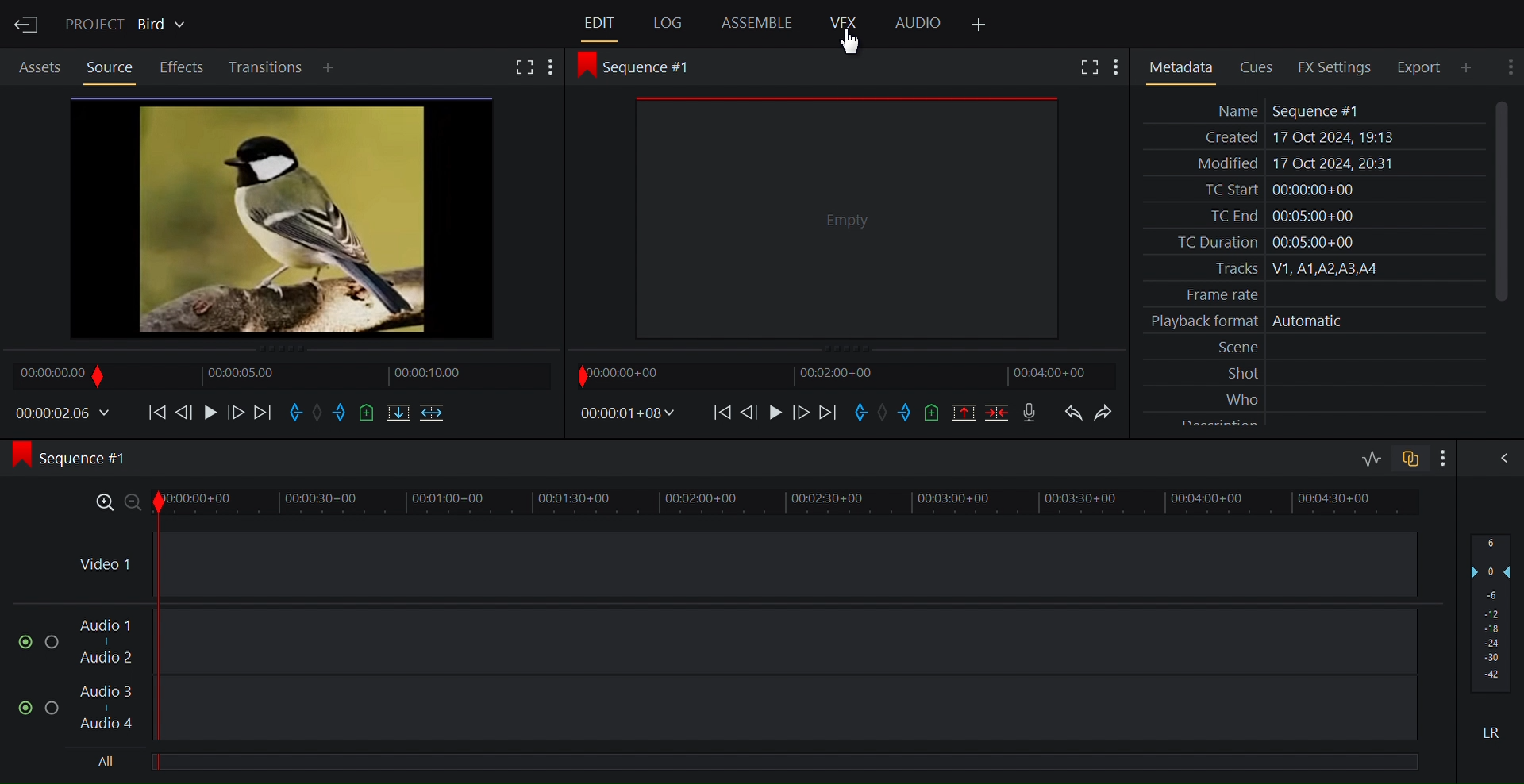 This screenshot has height=784, width=1524. I want to click on Nudge one frame back, so click(750, 412).